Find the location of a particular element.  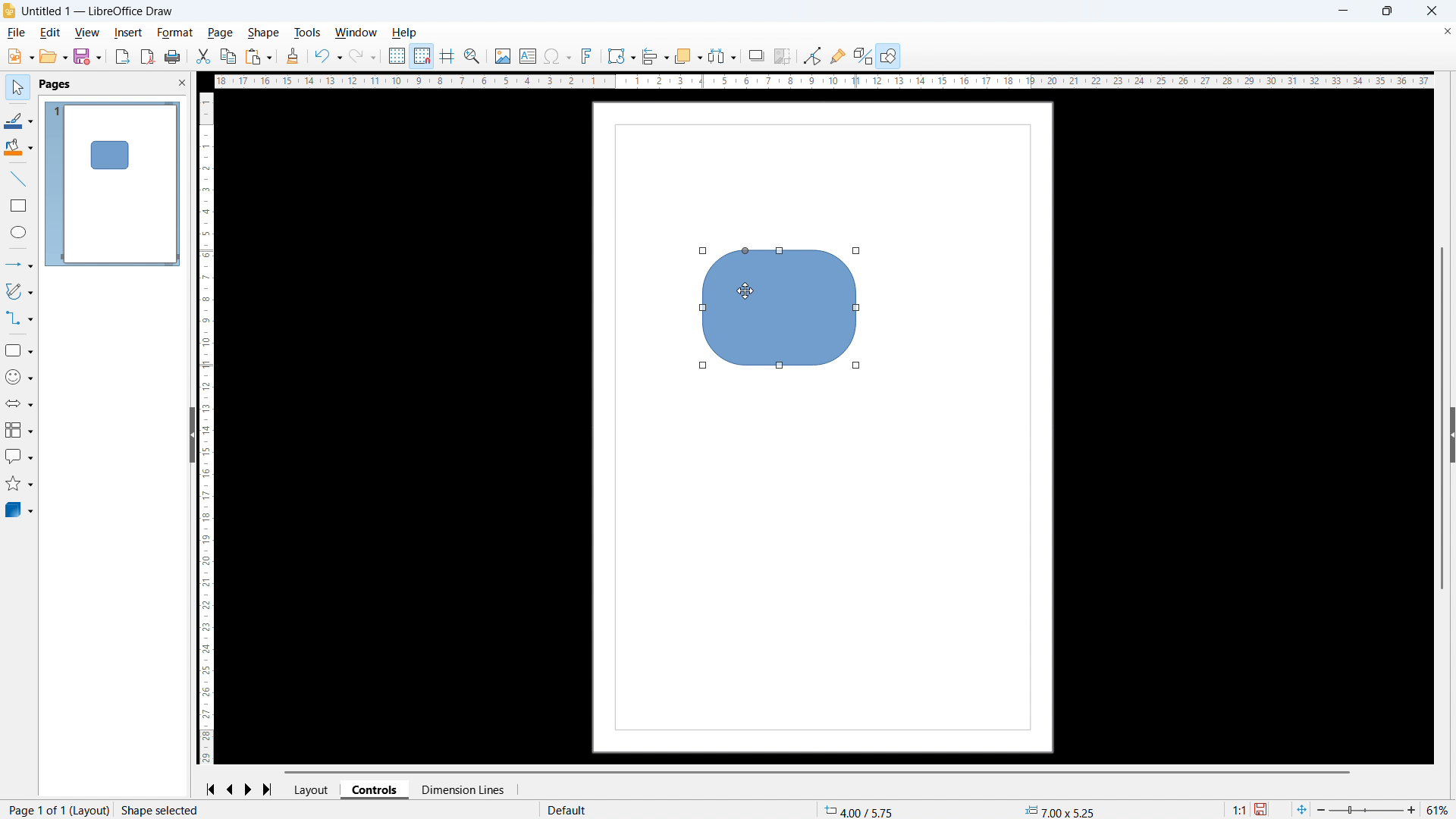

Clone formatting  is located at coordinates (293, 57).